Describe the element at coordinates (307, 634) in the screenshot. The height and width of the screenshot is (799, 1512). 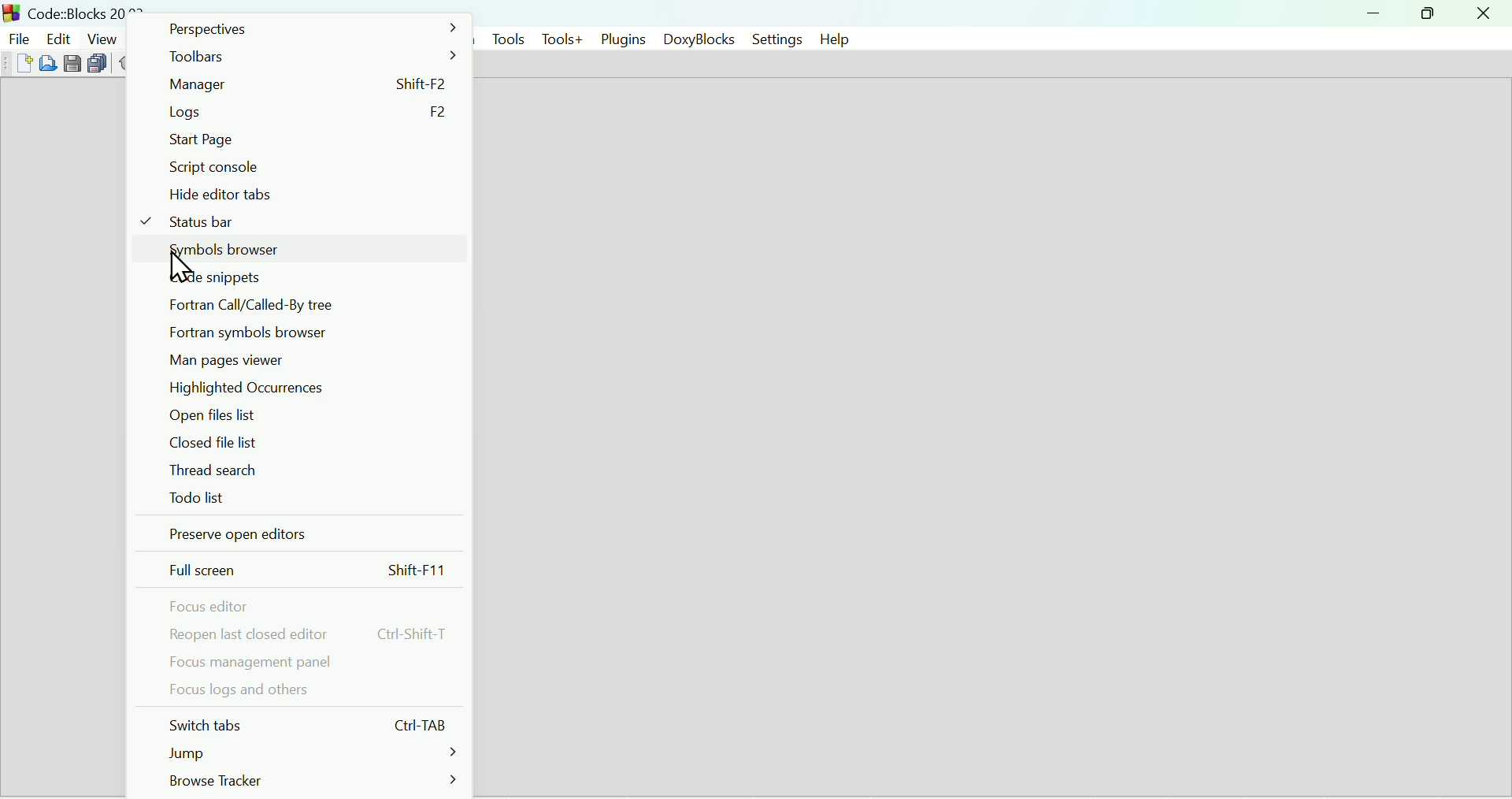
I see `reopen last closed editor` at that location.